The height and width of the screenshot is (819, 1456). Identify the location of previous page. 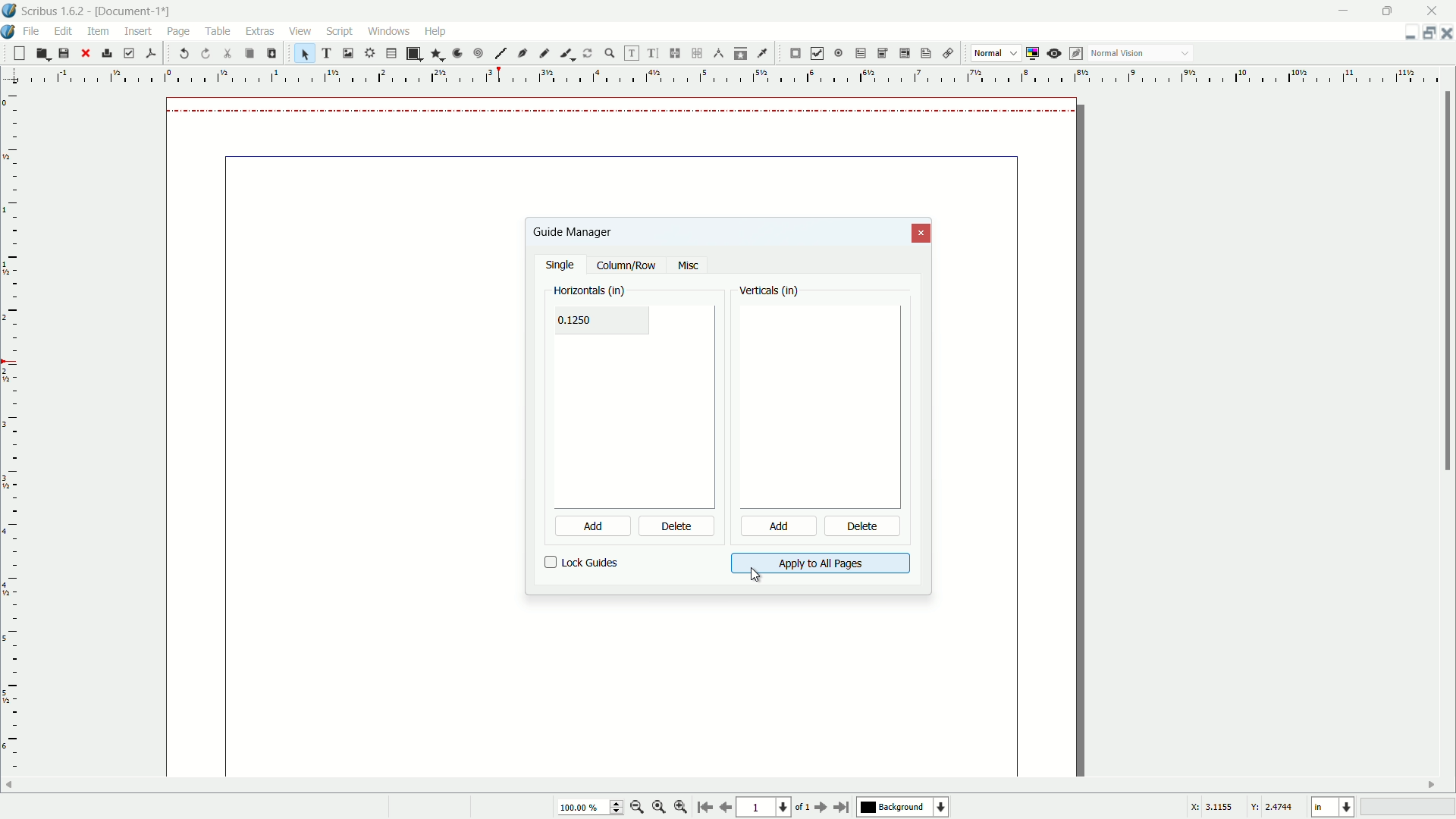
(725, 808).